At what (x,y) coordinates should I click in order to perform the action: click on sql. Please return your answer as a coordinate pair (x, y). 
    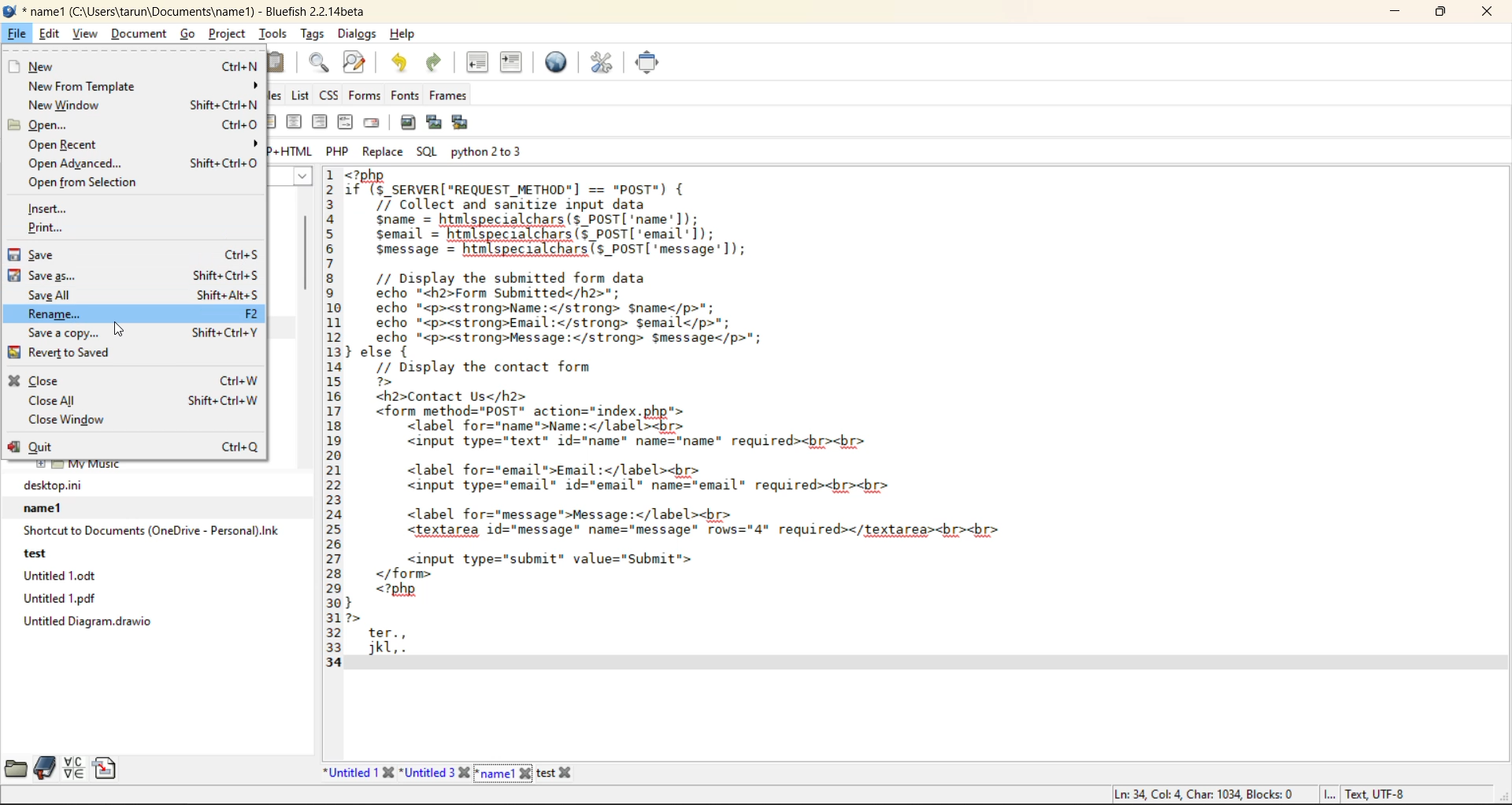
    Looking at the image, I should click on (428, 152).